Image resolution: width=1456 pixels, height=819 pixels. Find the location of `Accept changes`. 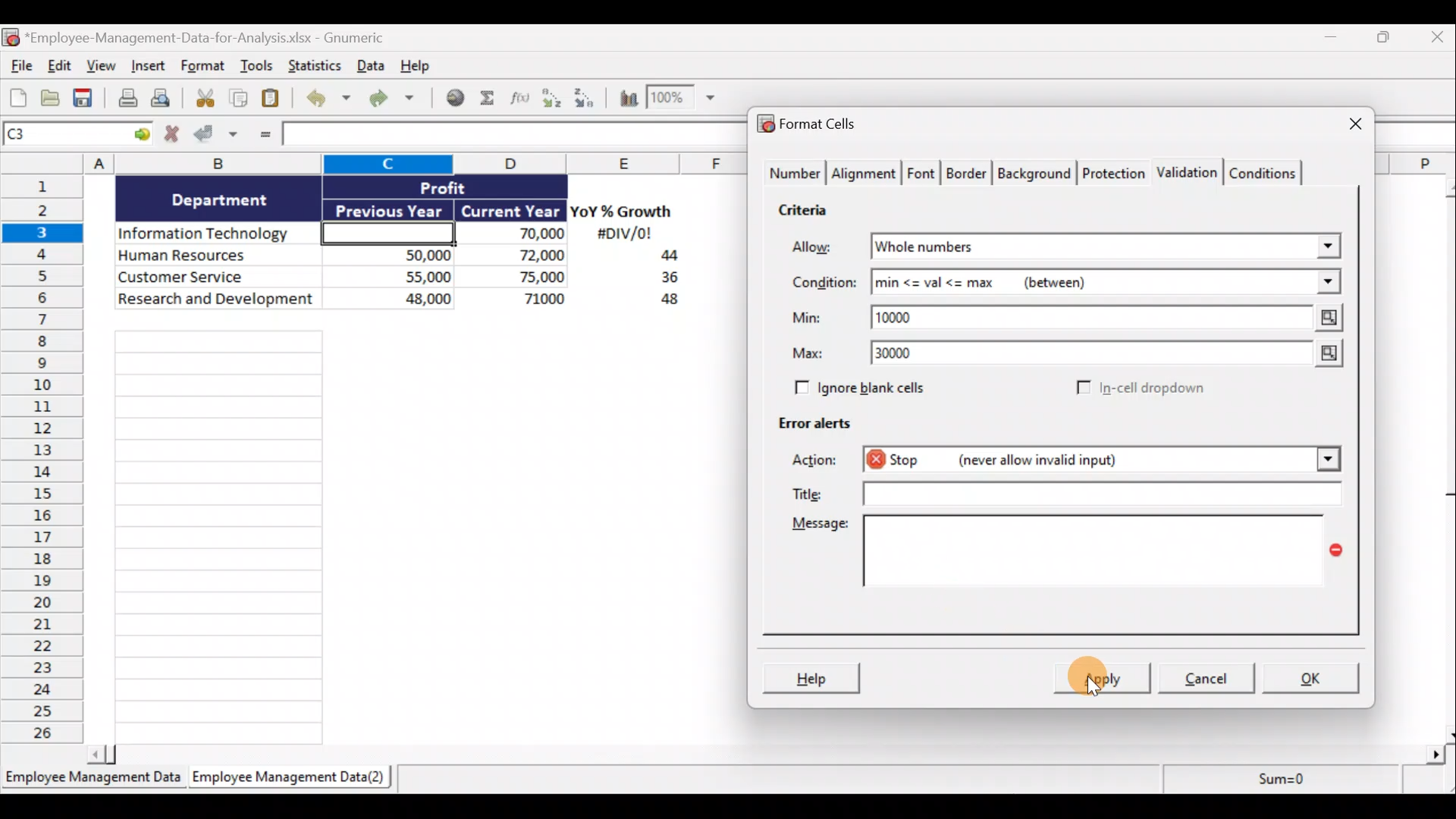

Accept changes is located at coordinates (218, 136).